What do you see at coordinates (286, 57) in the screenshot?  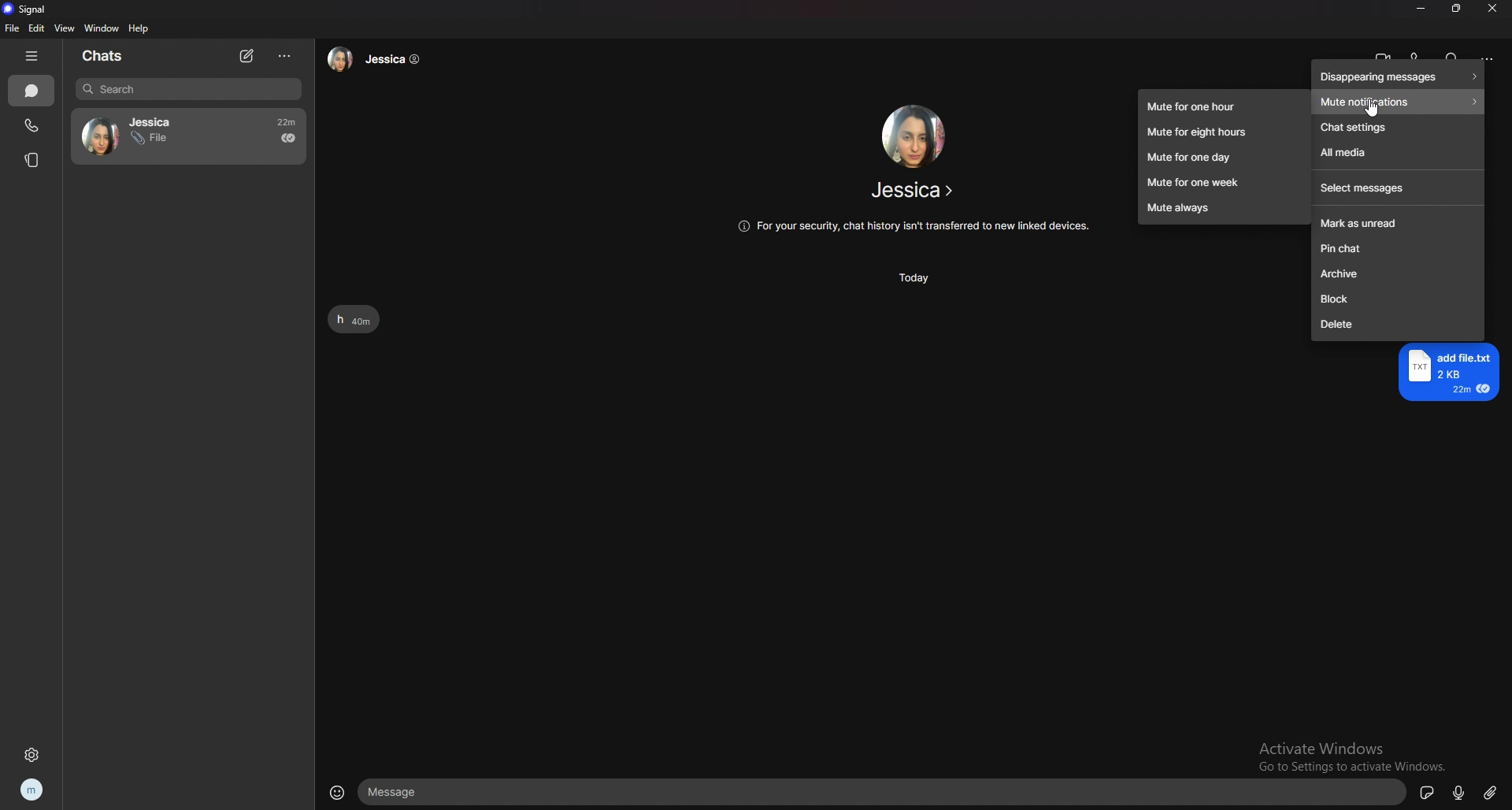 I see `options` at bounding box center [286, 57].